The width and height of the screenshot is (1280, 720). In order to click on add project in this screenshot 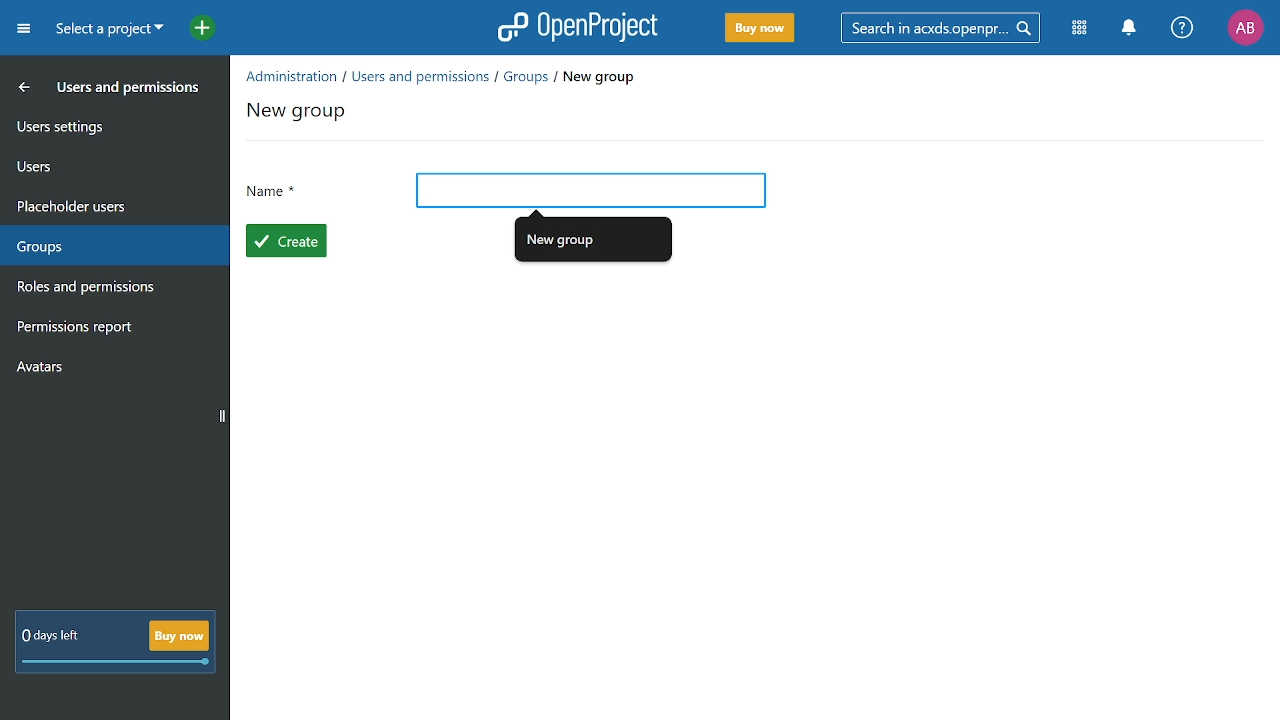, I will do `click(197, 30)`.